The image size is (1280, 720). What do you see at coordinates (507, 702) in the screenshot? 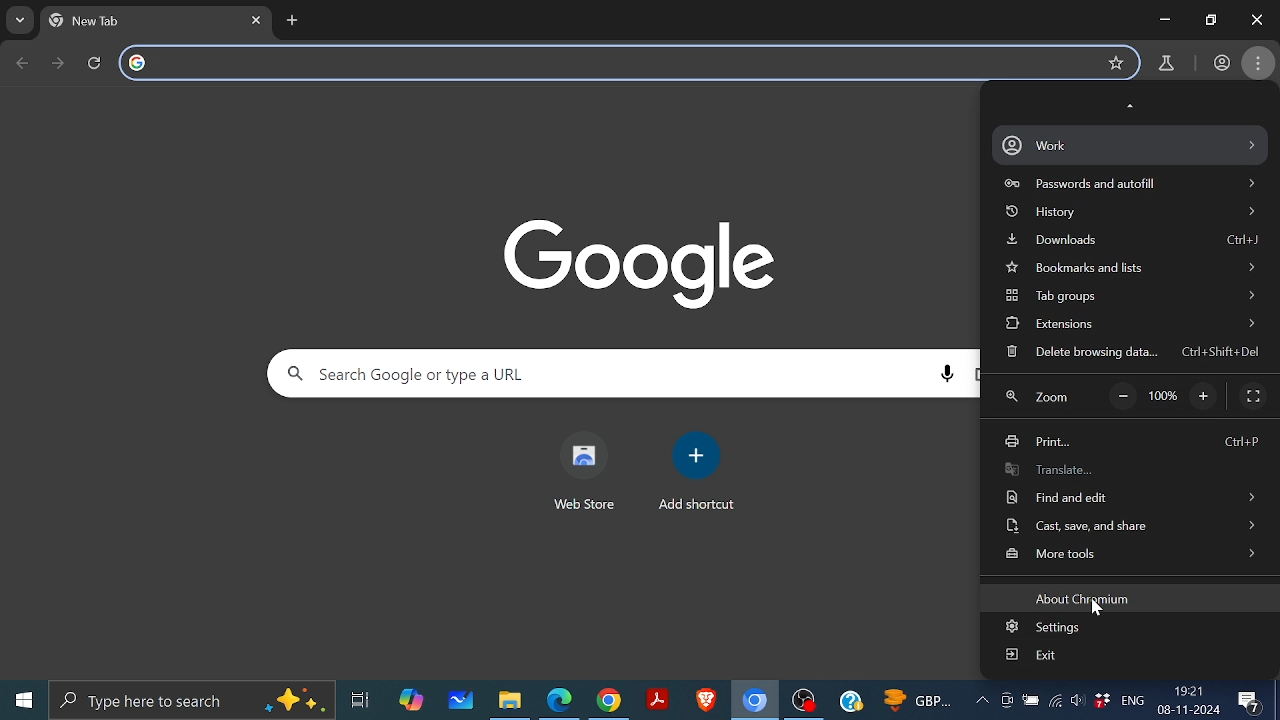
I see `Files` at bounding box center [507, 702].